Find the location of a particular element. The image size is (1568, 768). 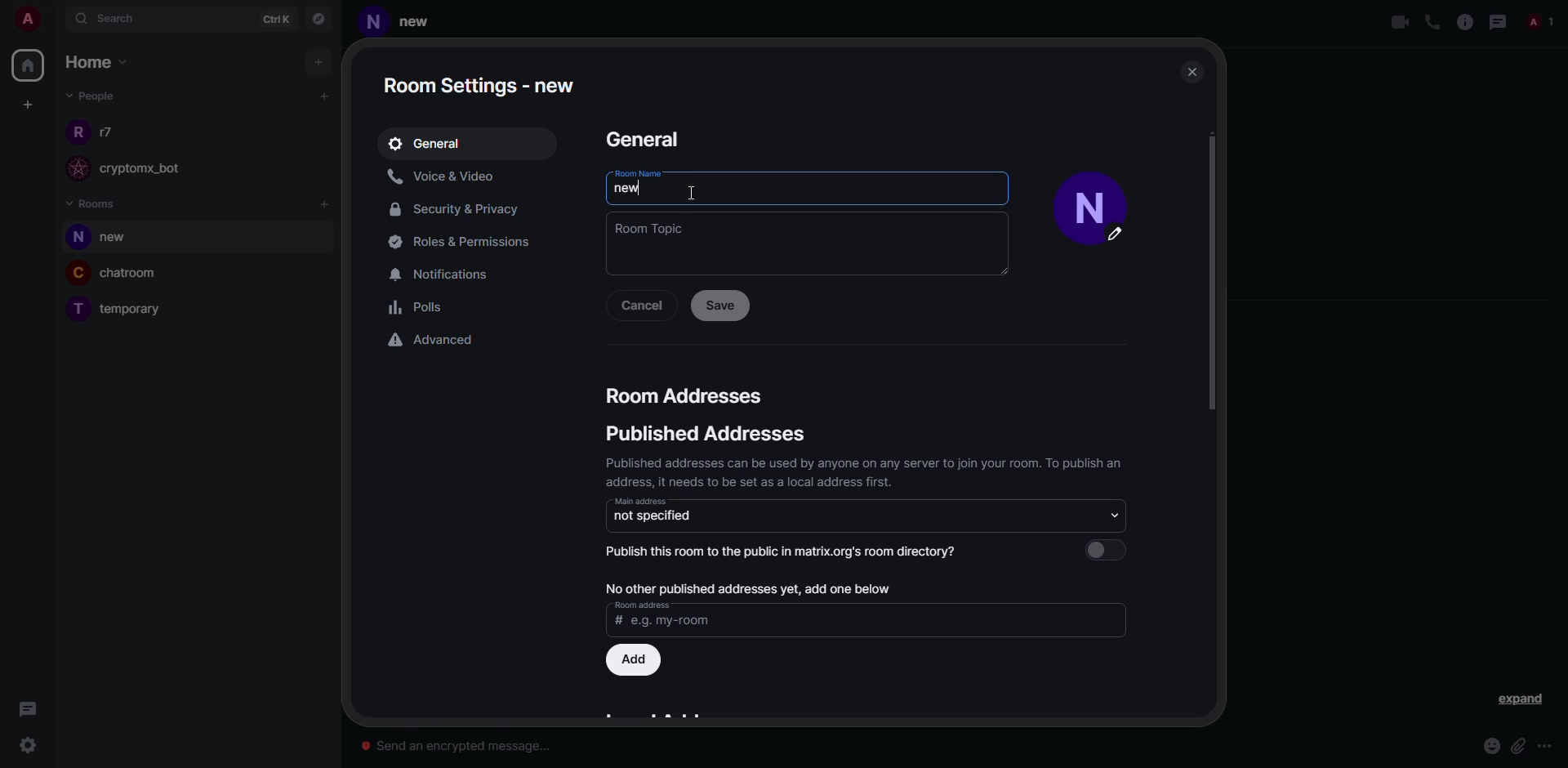

send encrypted message is located at coordinates (459, 742).